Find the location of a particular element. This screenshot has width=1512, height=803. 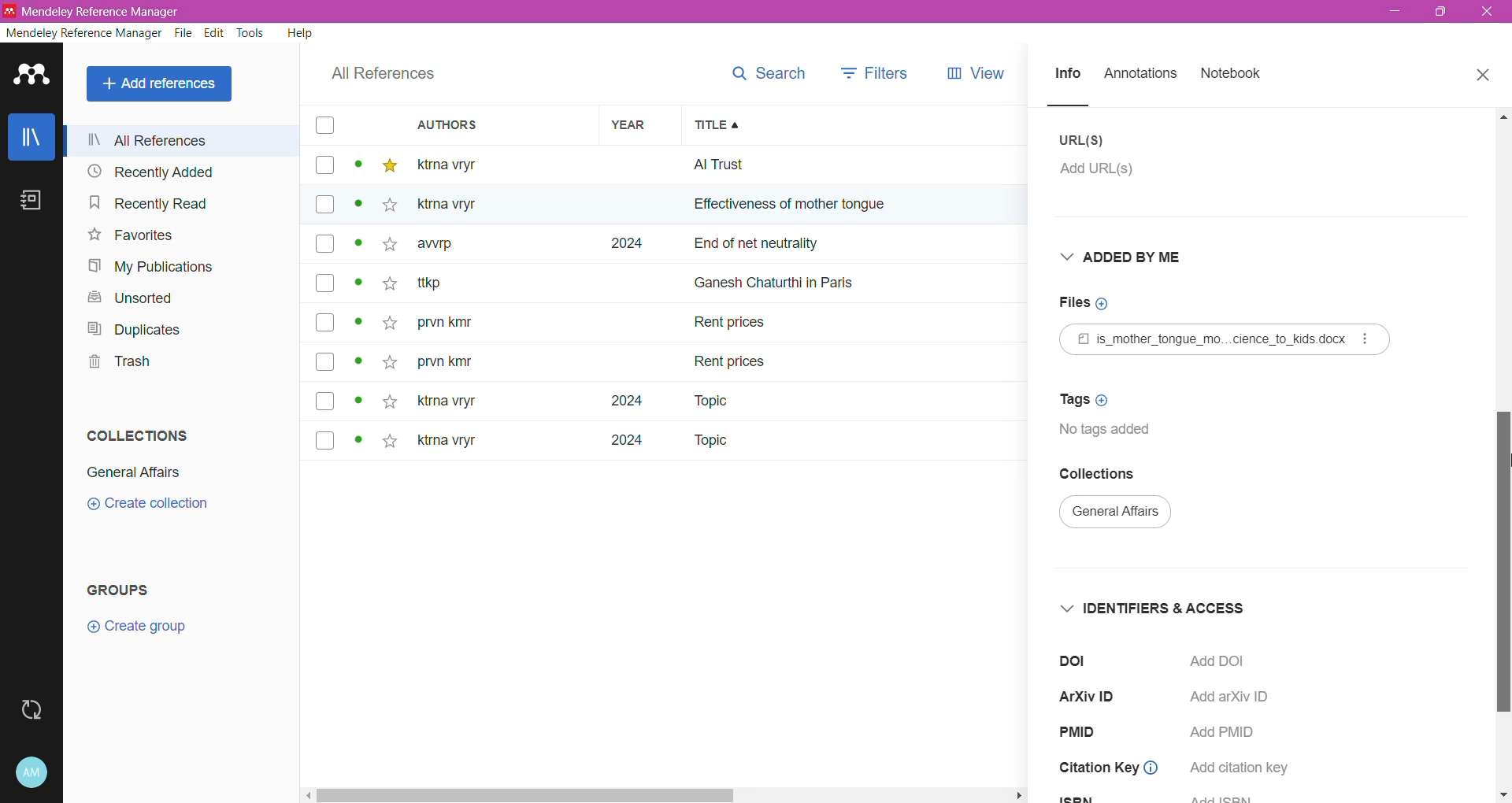

dot  is located at coordinates (358, 248).